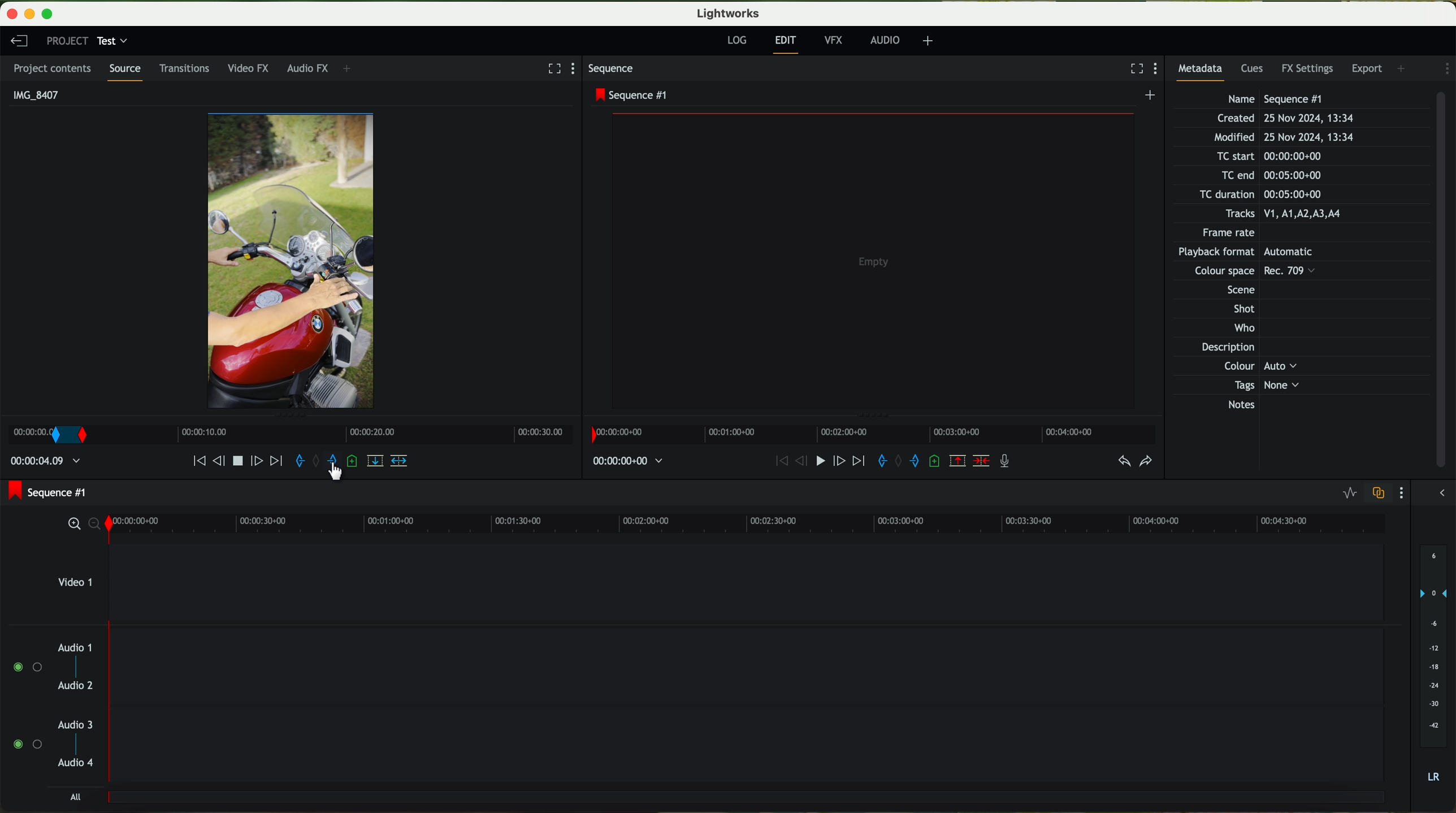 Image resolution: width=1456 pixels, height=813 pixels. Describe the element at coordinates (1242, 309) in the screenshot. I see `Shot` at that location.